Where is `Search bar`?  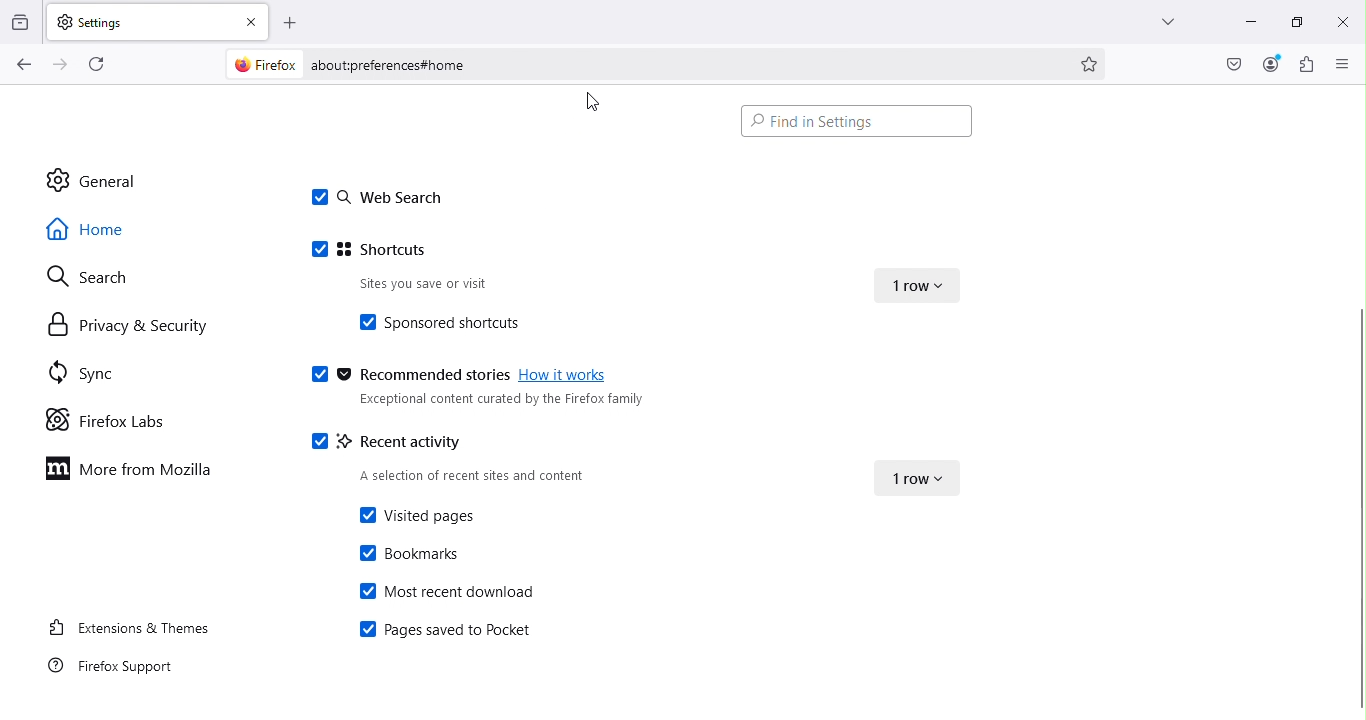 Search bar is located at coordinates (855, 120).